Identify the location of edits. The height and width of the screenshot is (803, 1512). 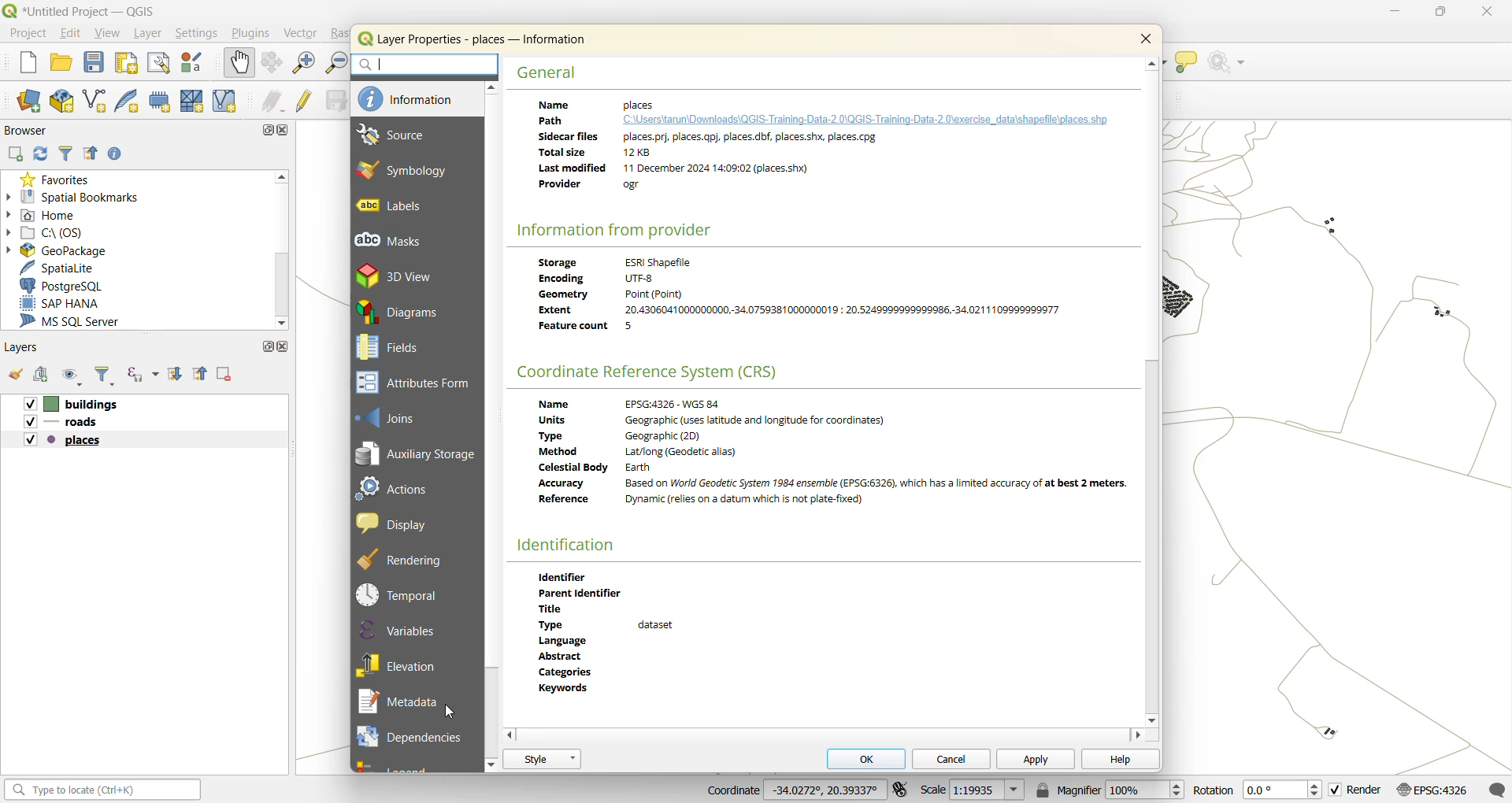
(270, 102).